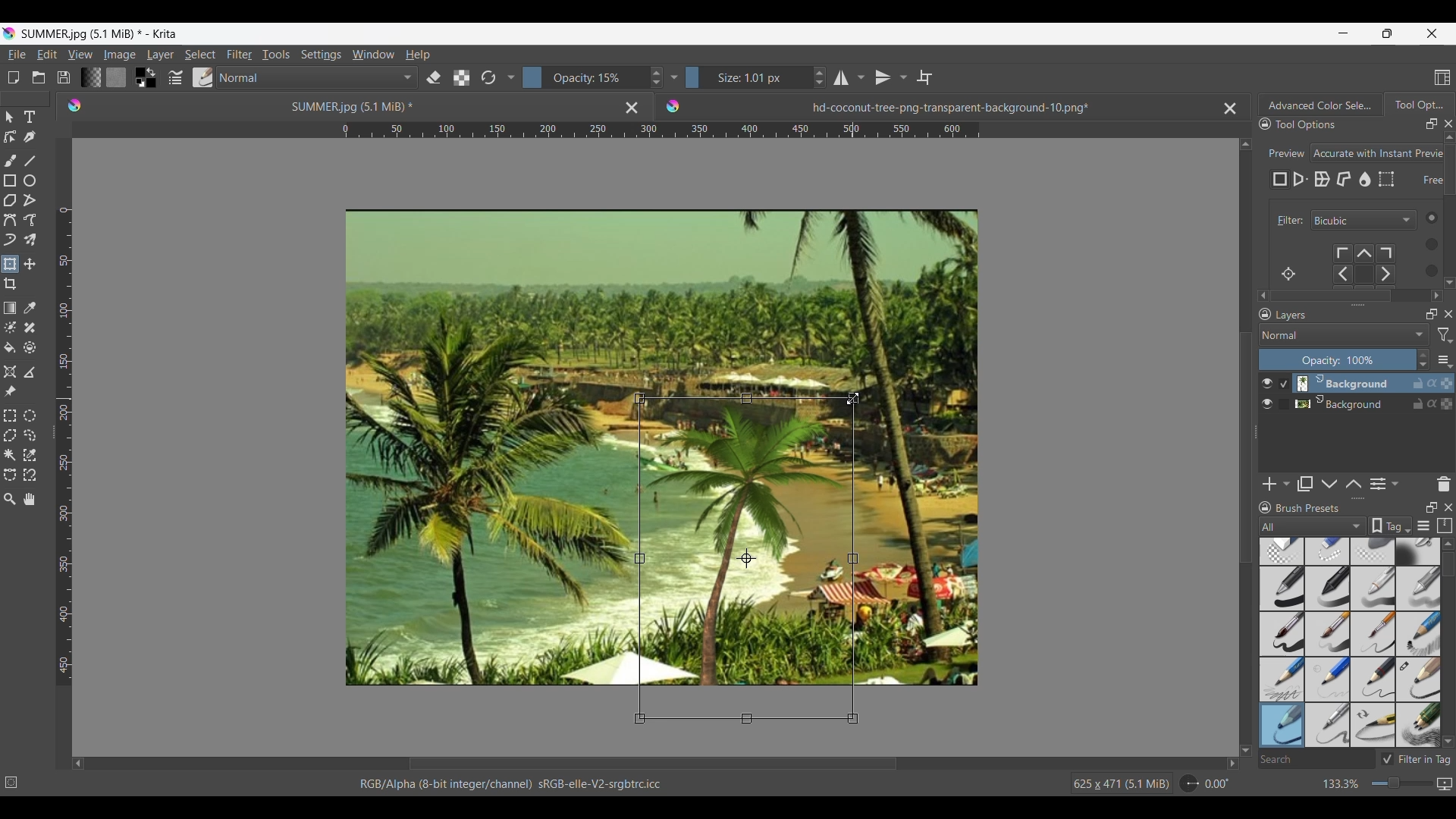 This screenshot has width=1456, height=819. I want to click on Dynamic brush tool, so click(10, 240).